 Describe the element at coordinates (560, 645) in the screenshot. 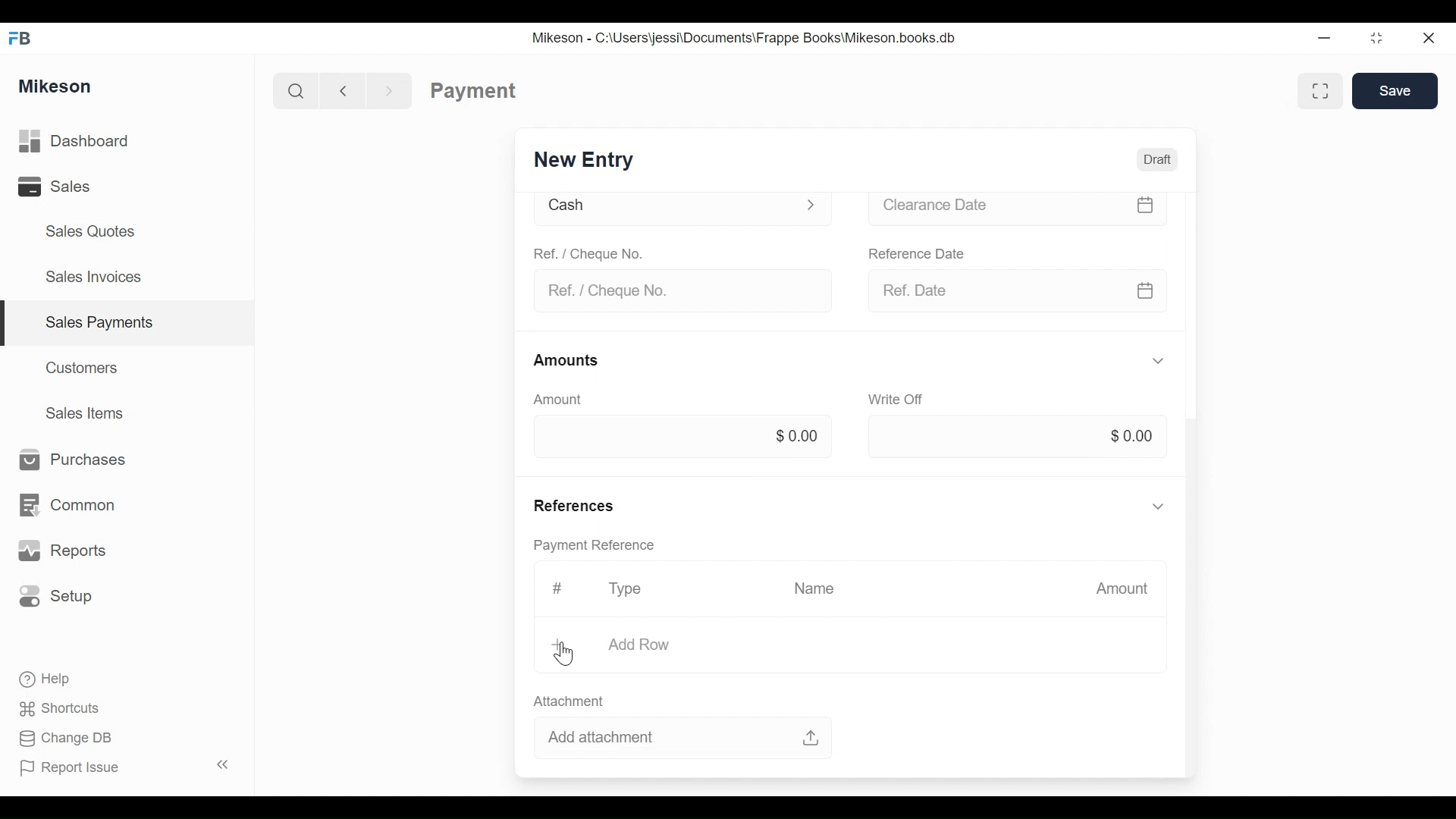

I see `Add` at that location.